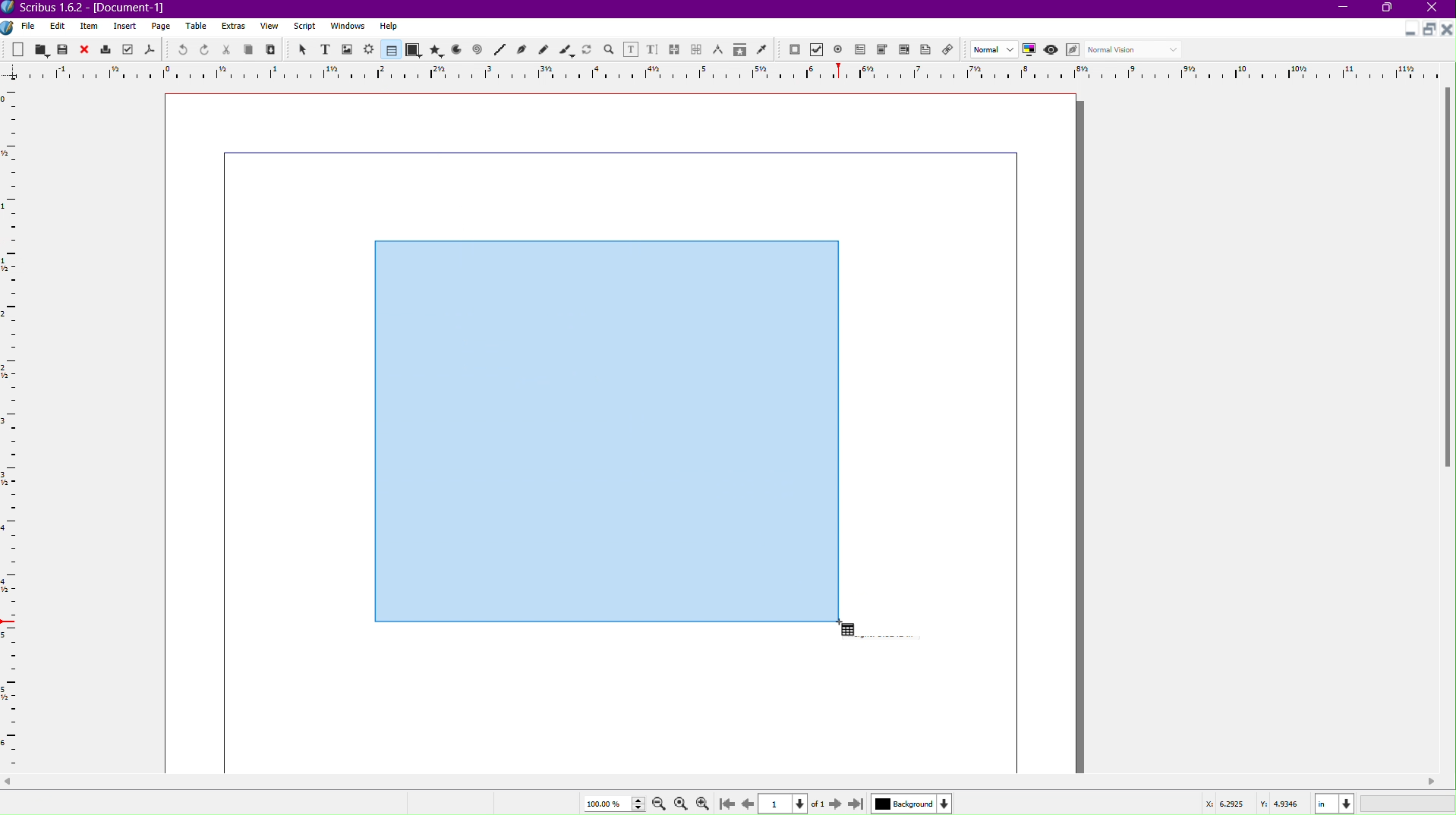 This screenshot has height=815, width=1456. What do you see at coordinates (833, 803) in the screenshot?
I see `Next Page` at bounding box center [833, 803].